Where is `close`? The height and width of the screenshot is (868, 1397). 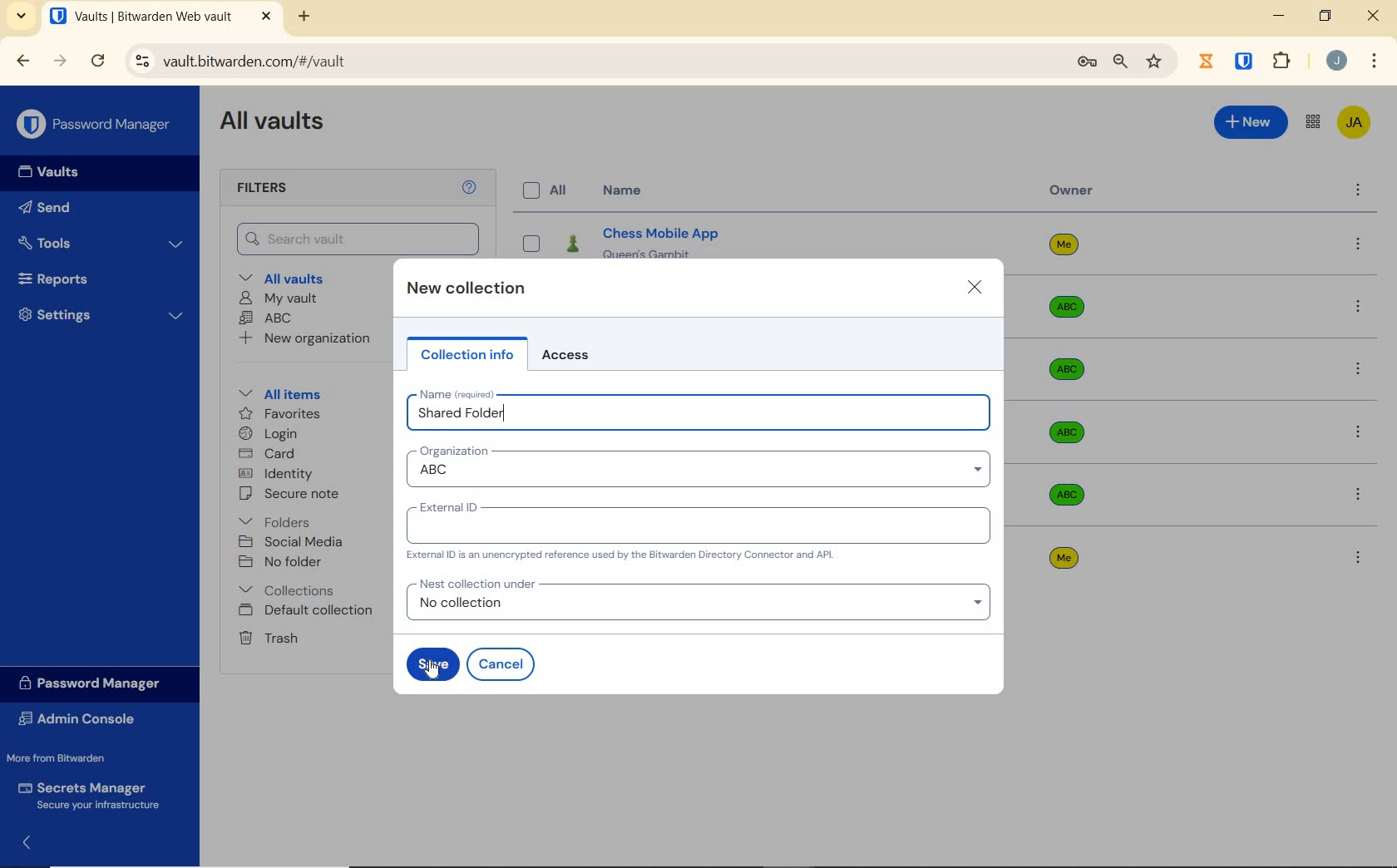
close is located at coordinates (1374, 14).